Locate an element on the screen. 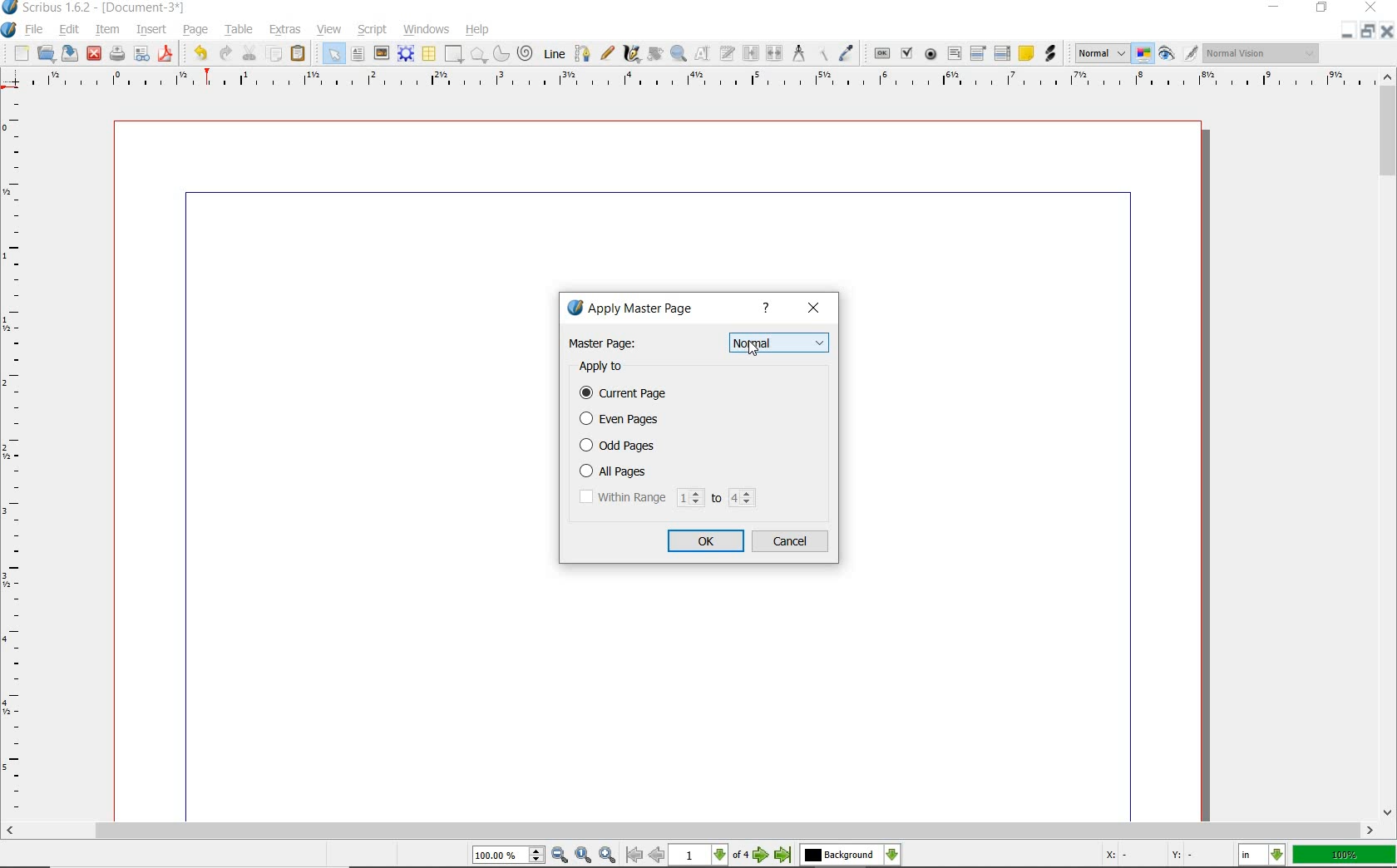 Image resolution: width=1397 pixels, height=868 pixels. Bezier curve is located at coordinates (583, 53).